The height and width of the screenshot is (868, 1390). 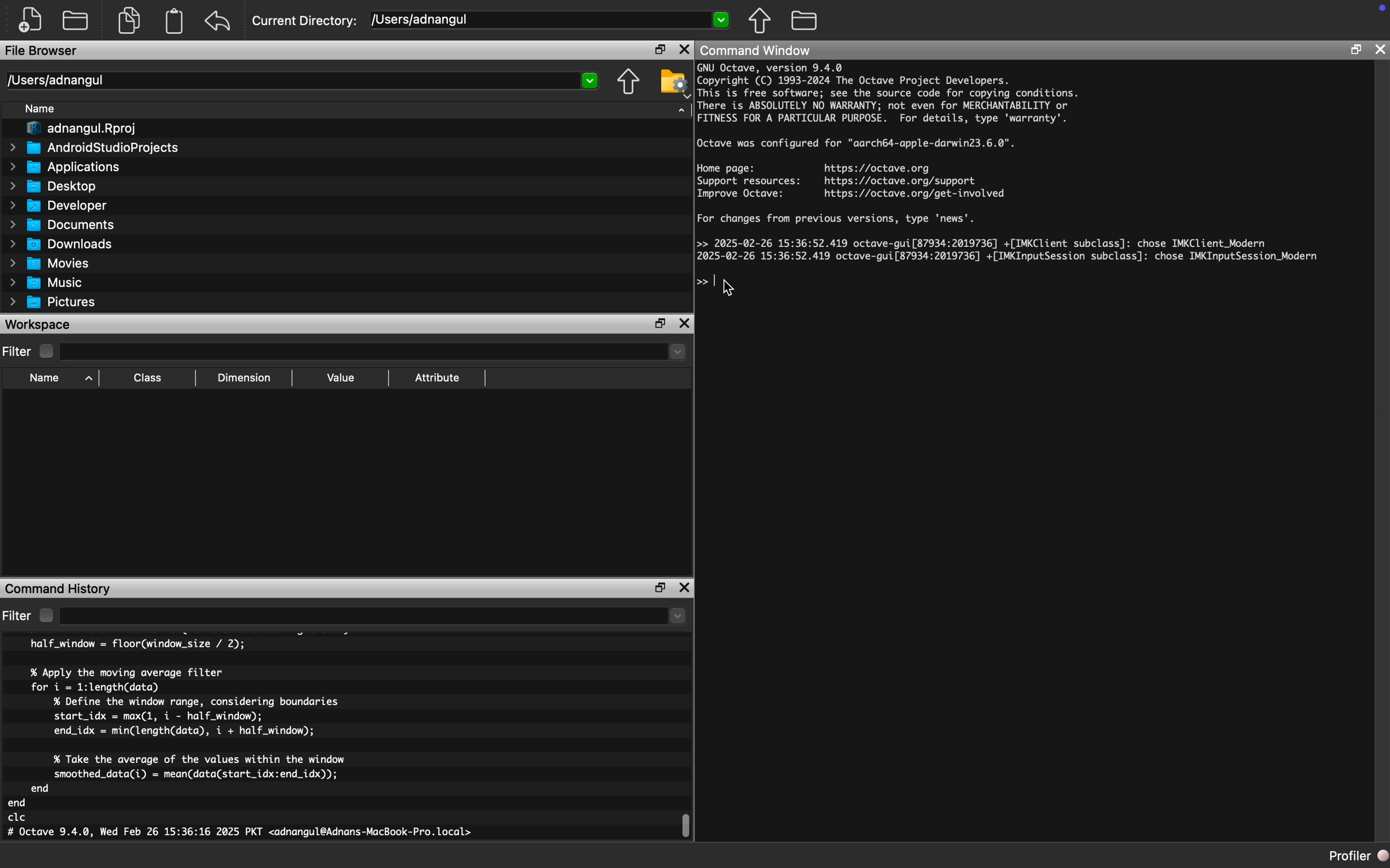 I want to click on Restore Down, so click(x=662, y=588).